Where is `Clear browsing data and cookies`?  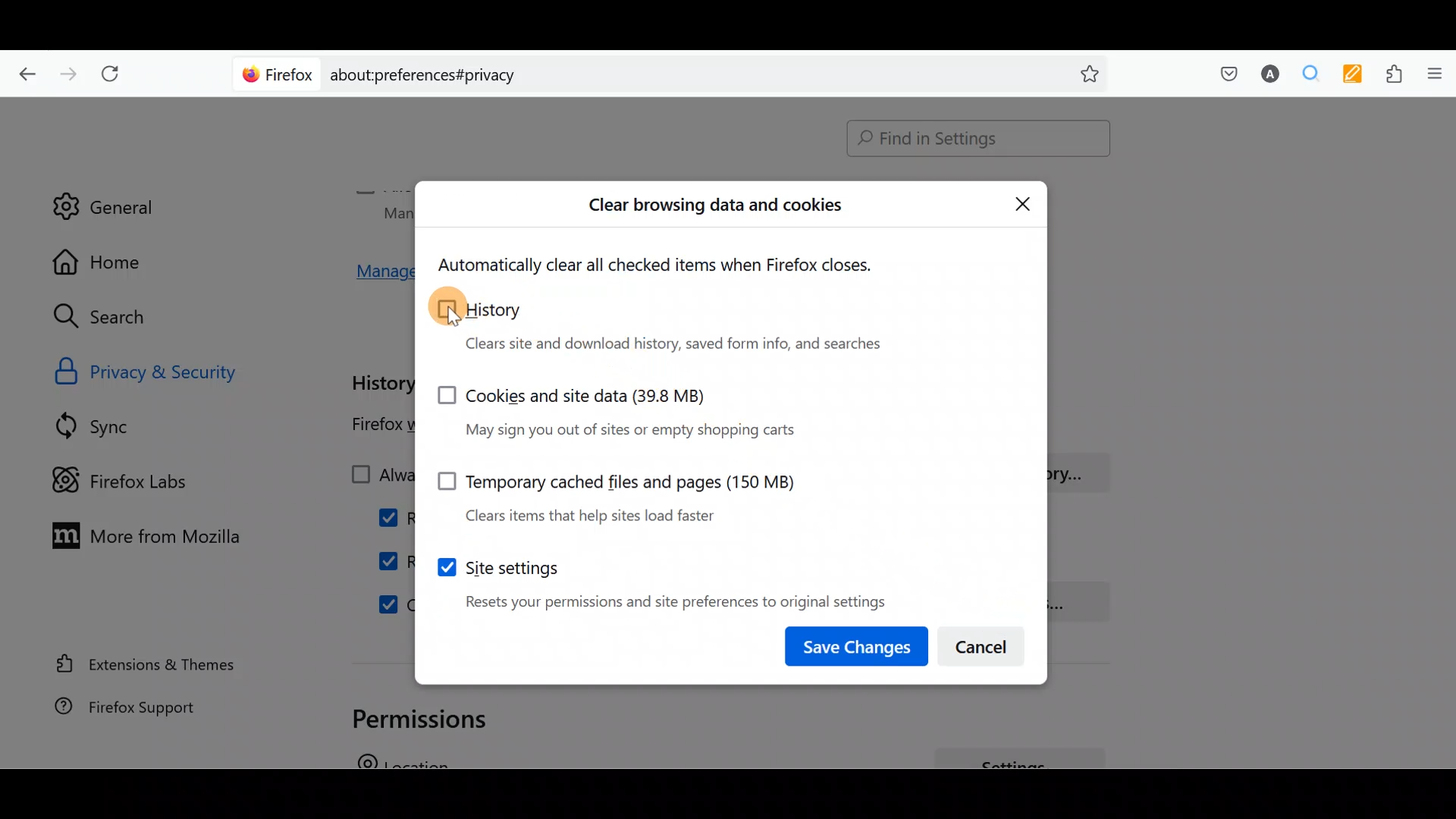 Clear browsing data and cookies is located at coordinates (717, 209).